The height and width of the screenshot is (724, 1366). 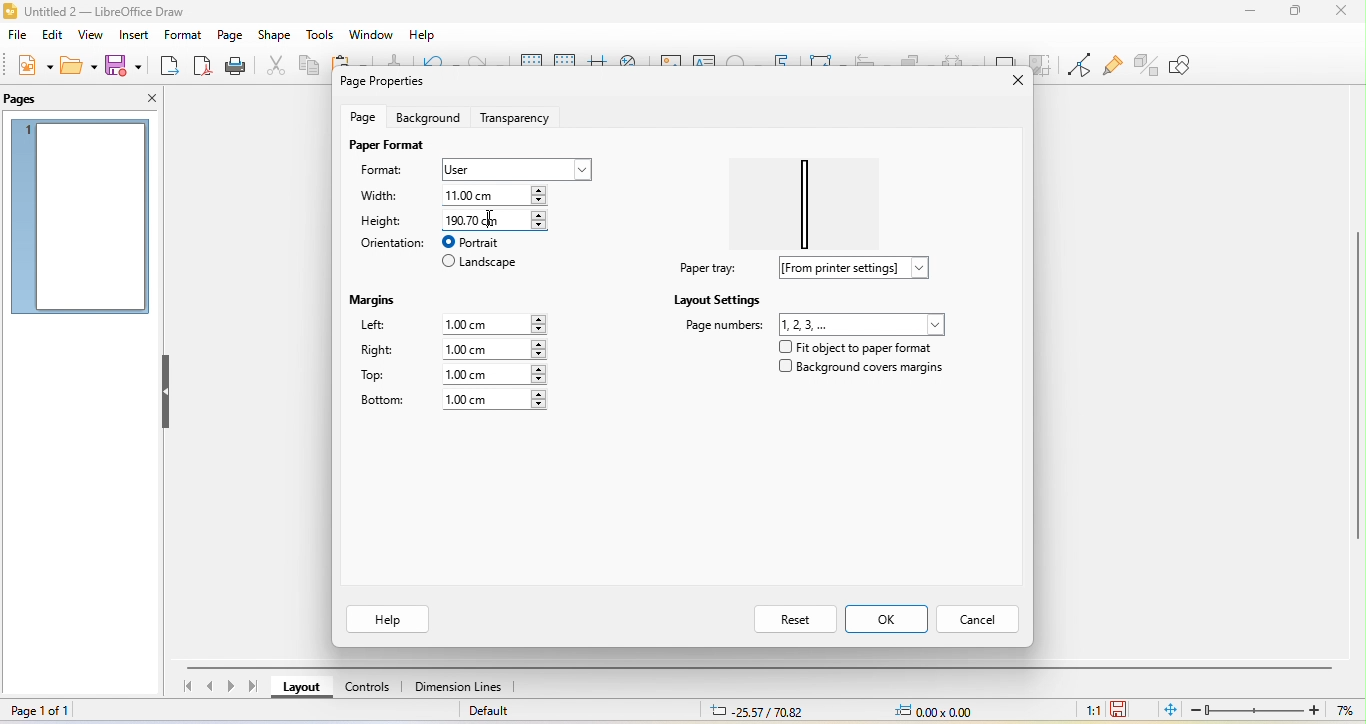 I want to click on 0.00x0.00, so click(x=933, y=710).